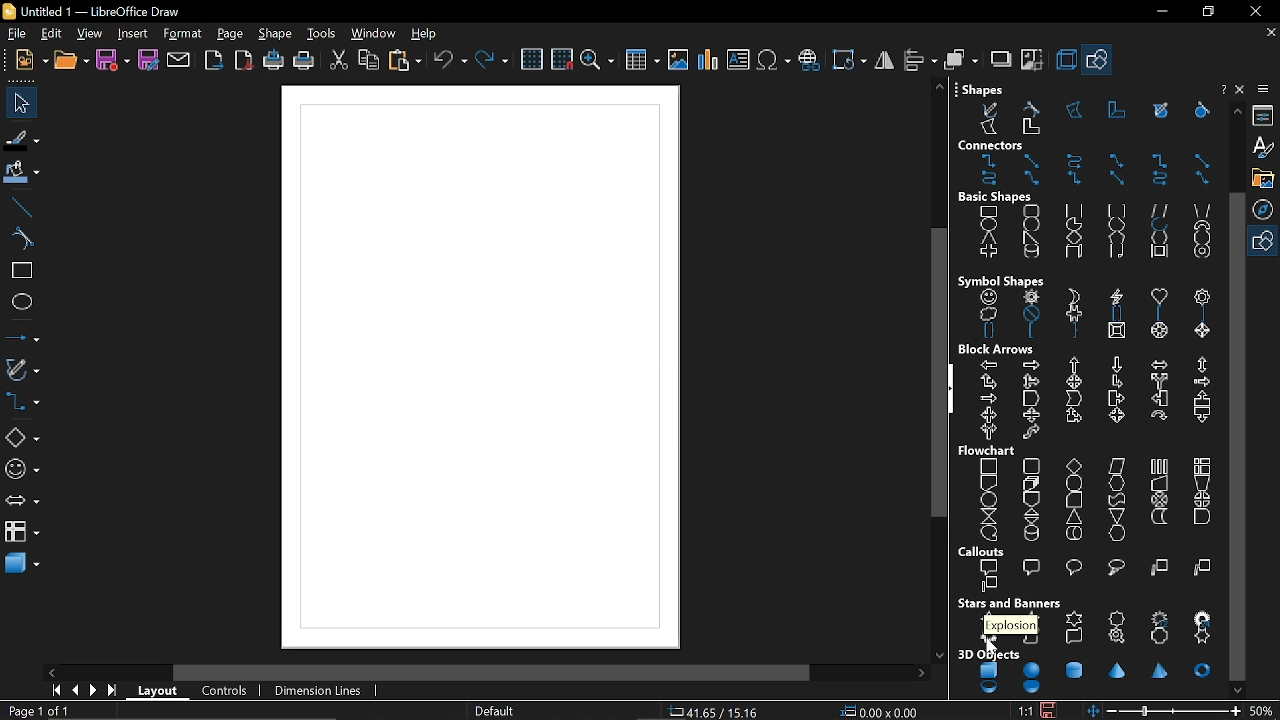 This screenshot has width=1280, height=720. What do you see at coordinates (114, 59) in the screenshot?
I see `save` at bounding box center [114, 59].